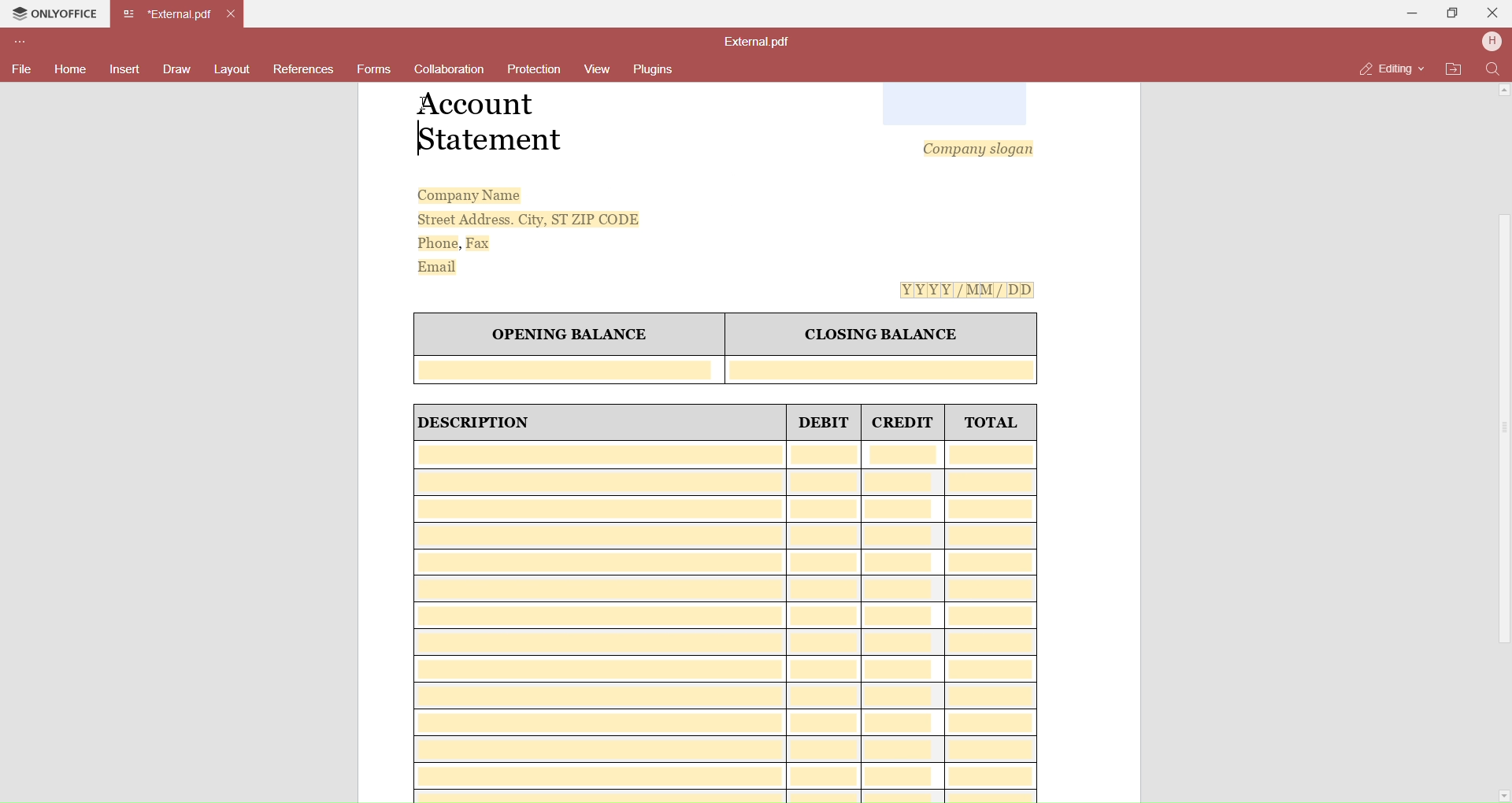 This screenshot has height=803, width=1512. What do you see at coordinates (236, 13) in the screenshot?
I see `Close Tab` at bounding box center [236, 13].